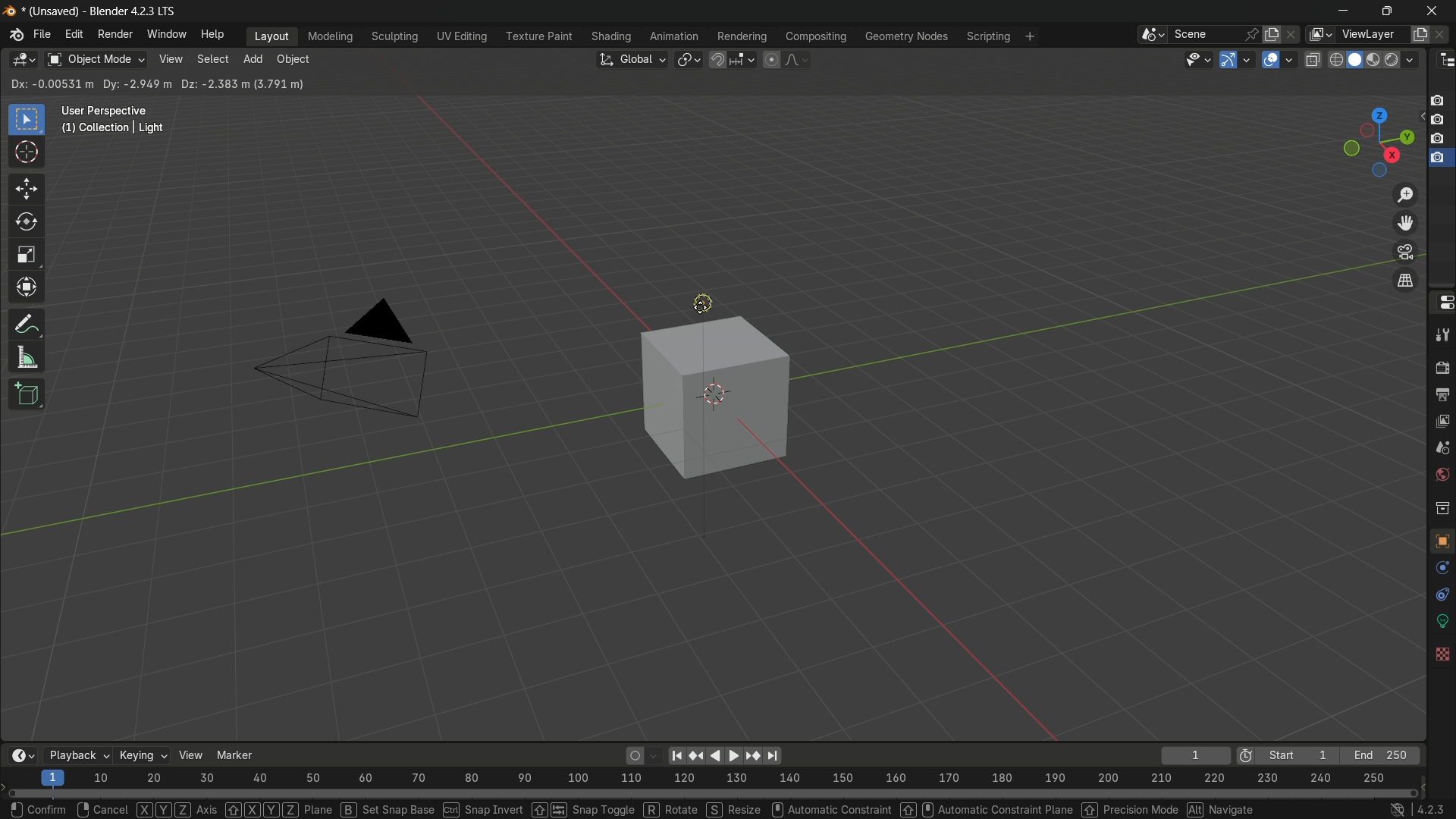 This screenshot has width=1456, height=819. What do you see at coordinates (1439, 508) in the screenshot?
I see `collections` at bounding box center [1439, 508].